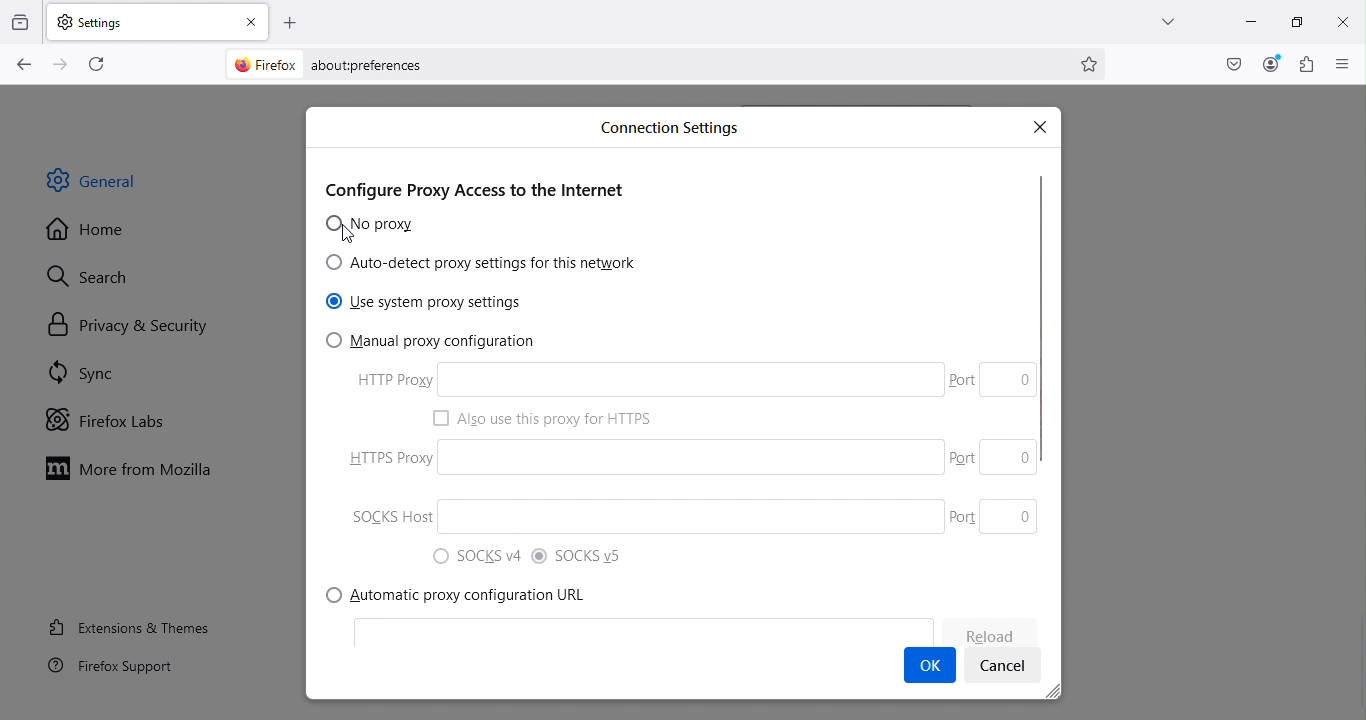 The width and height of the screenshot is (1366, 720). What do you see at coordinates (139, 20) in the screenshot?
I see `Settings tab` at bounding box center [139, 20].